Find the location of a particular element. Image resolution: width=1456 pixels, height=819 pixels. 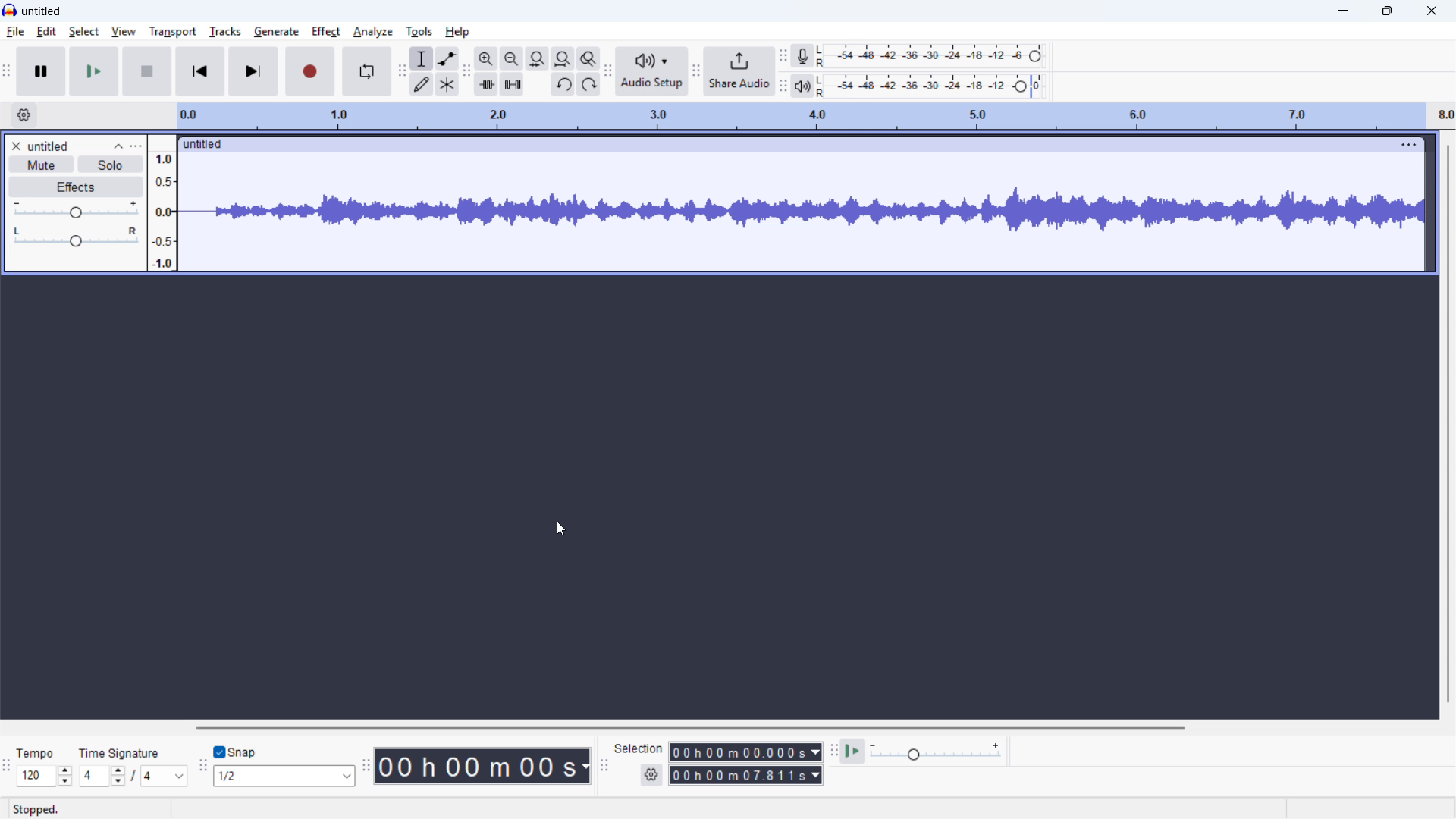

Maximise  is located at coordinates (1387, 11).